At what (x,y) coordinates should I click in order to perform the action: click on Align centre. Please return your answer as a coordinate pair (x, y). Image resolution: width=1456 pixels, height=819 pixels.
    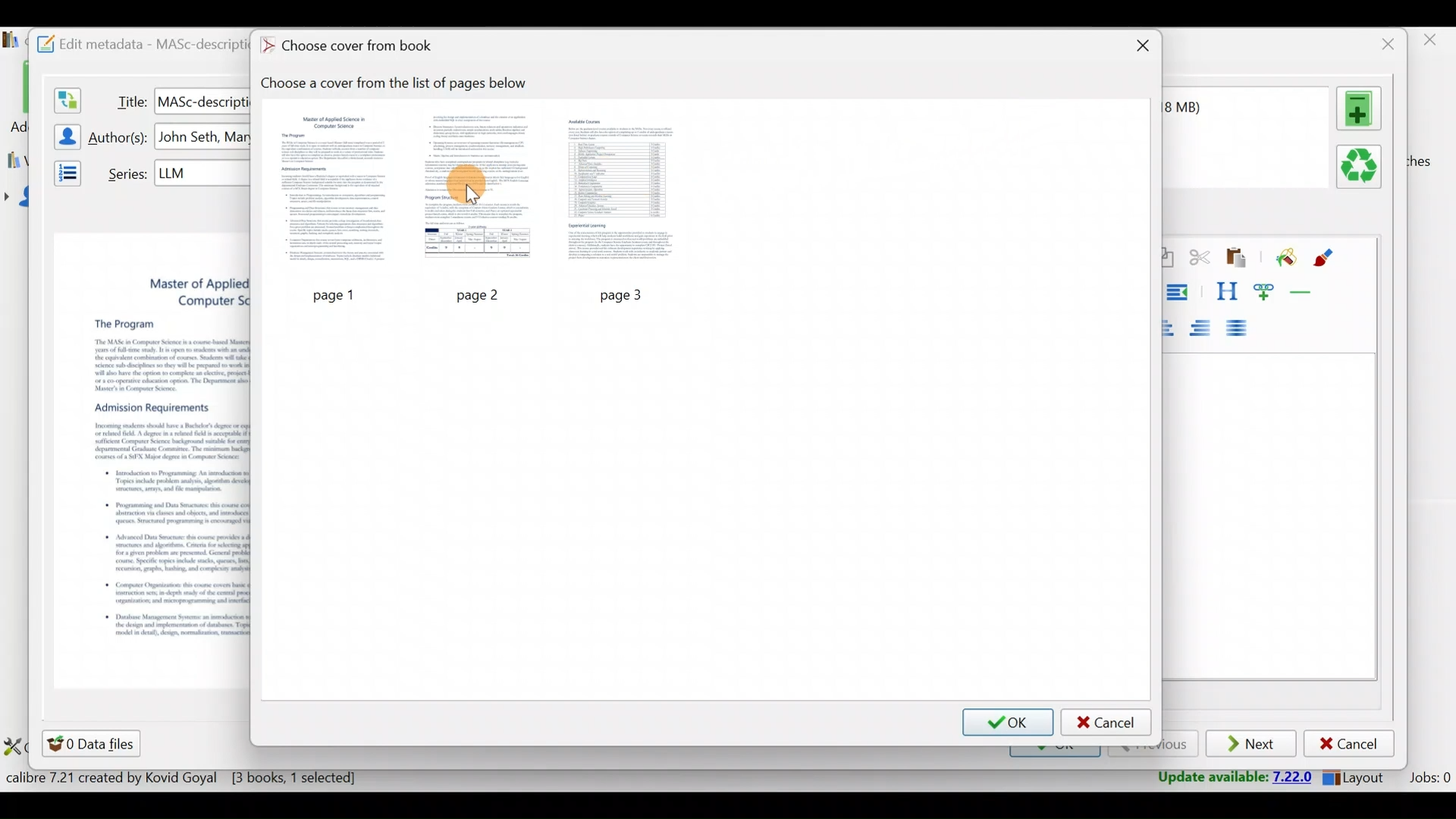
    Looking at the image, I should click on (1175, 325).